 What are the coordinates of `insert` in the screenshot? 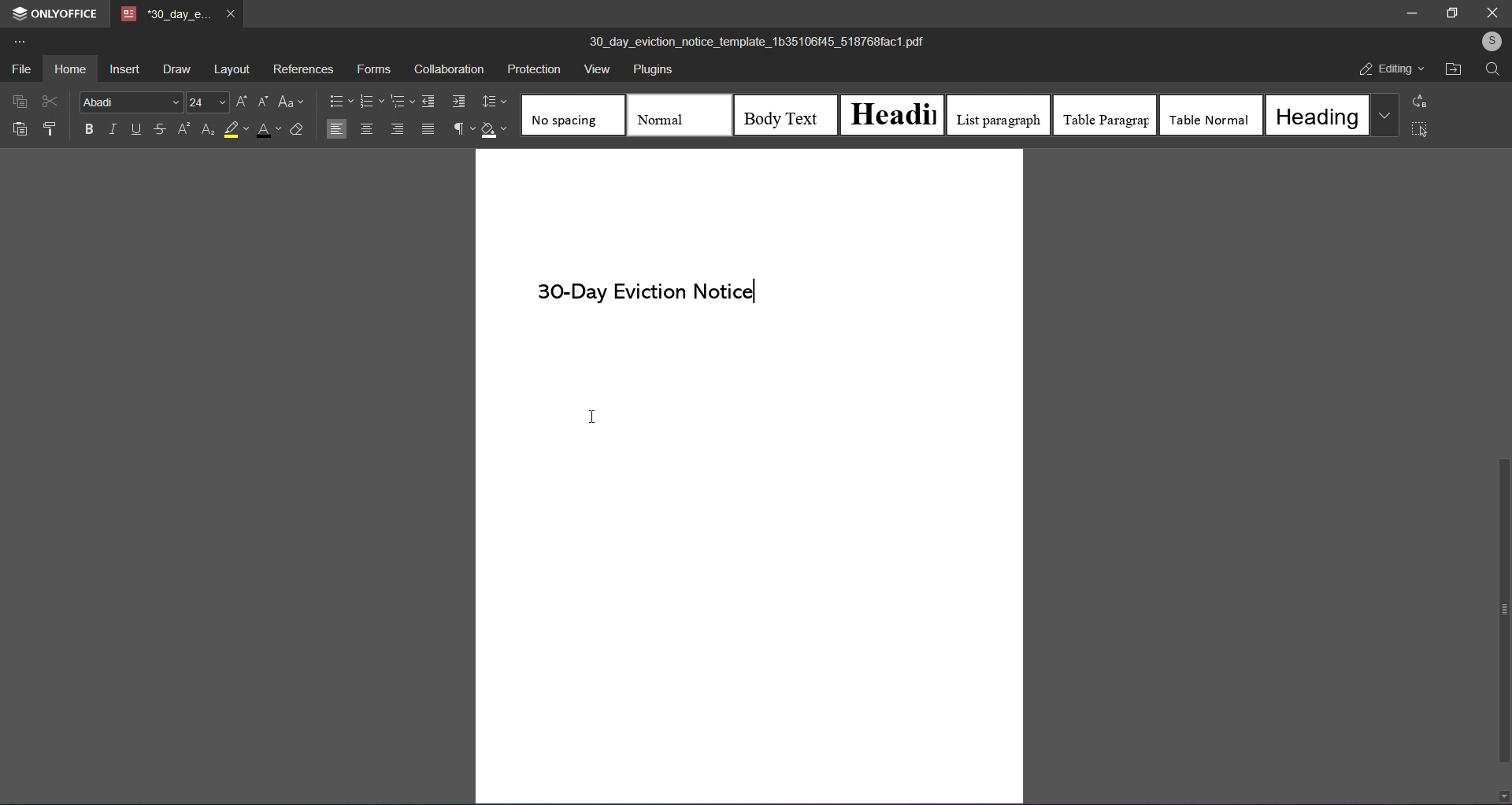 It's located at (124, 68).